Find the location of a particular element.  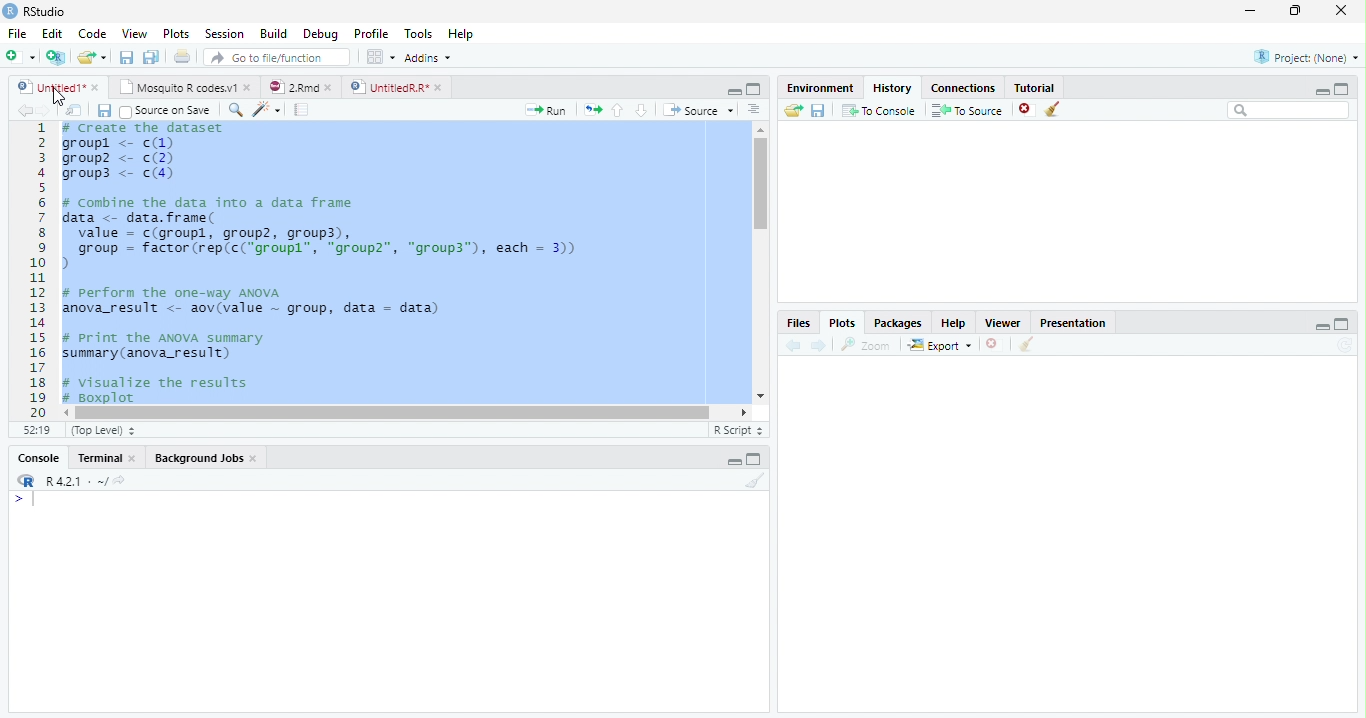

Tutorial is located at coordinates (1036, 86).